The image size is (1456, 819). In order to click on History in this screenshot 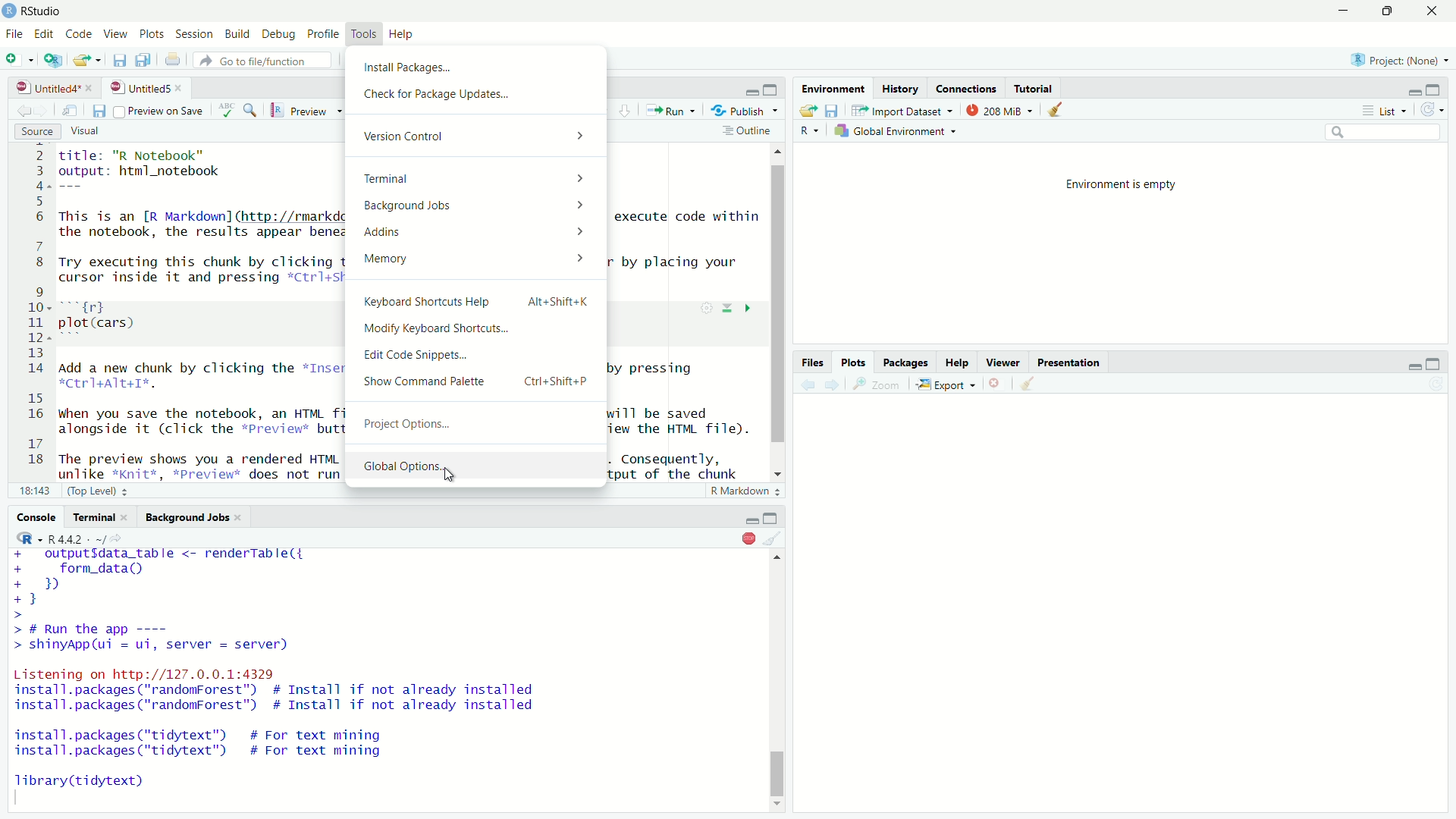, I will do `click(899, 88)`.